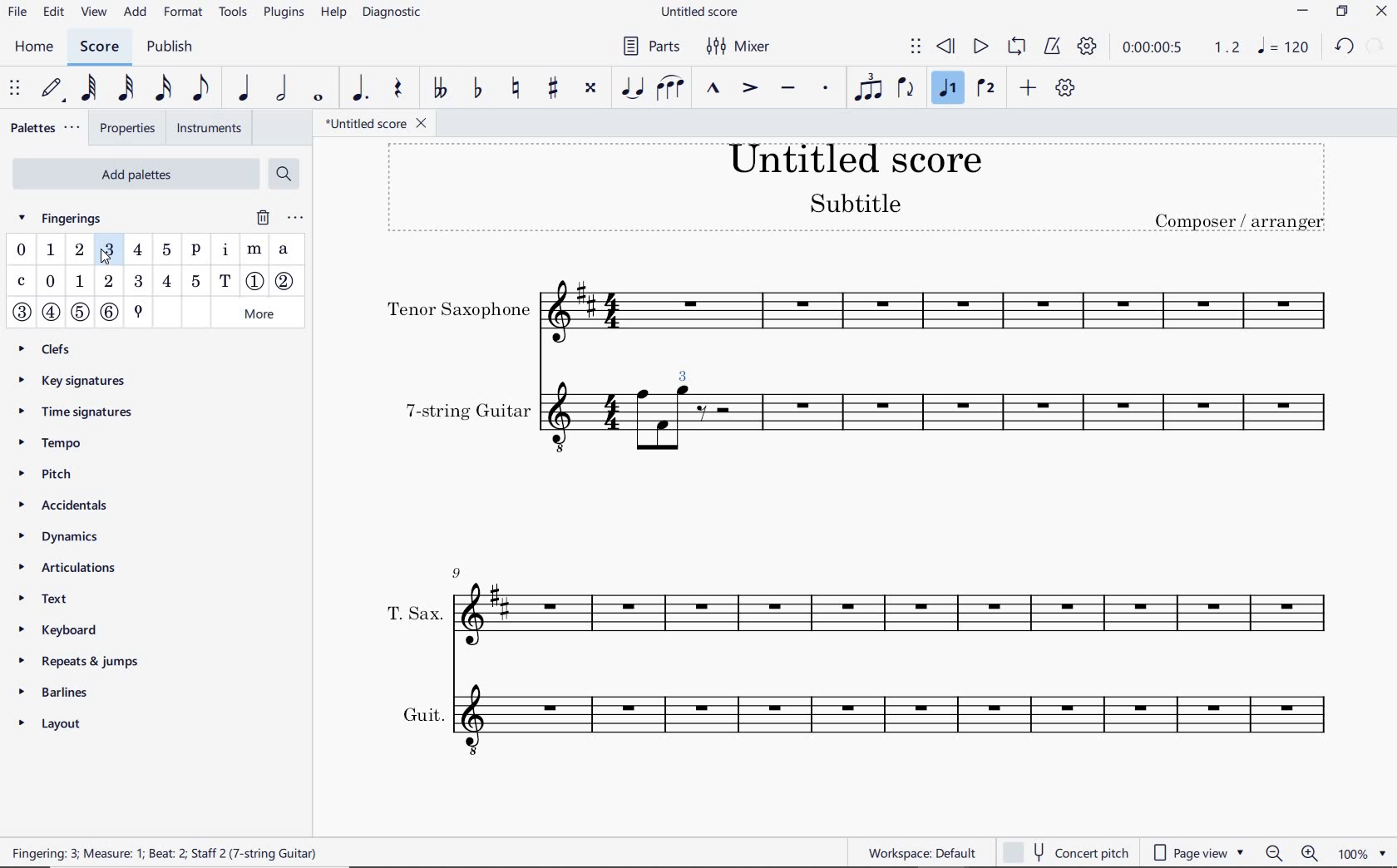 The width and height of the screenshot is (1397, 868). Describe the element at coordinates (439, 87) in the screenshot. I see `TOGGLE-DOUBLE FLAT` at that location.